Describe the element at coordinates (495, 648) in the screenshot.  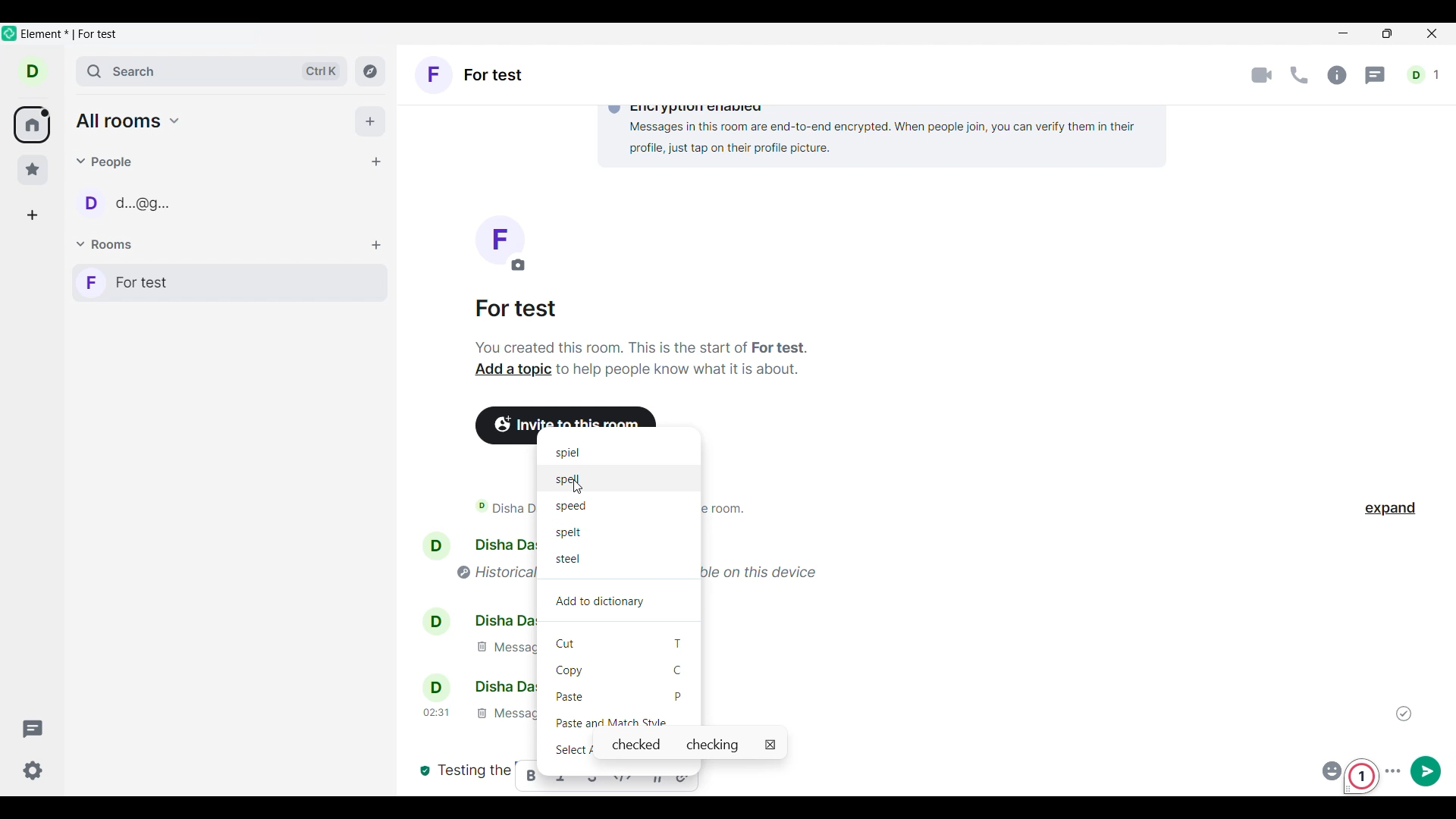
I see `message deleted` at that location.